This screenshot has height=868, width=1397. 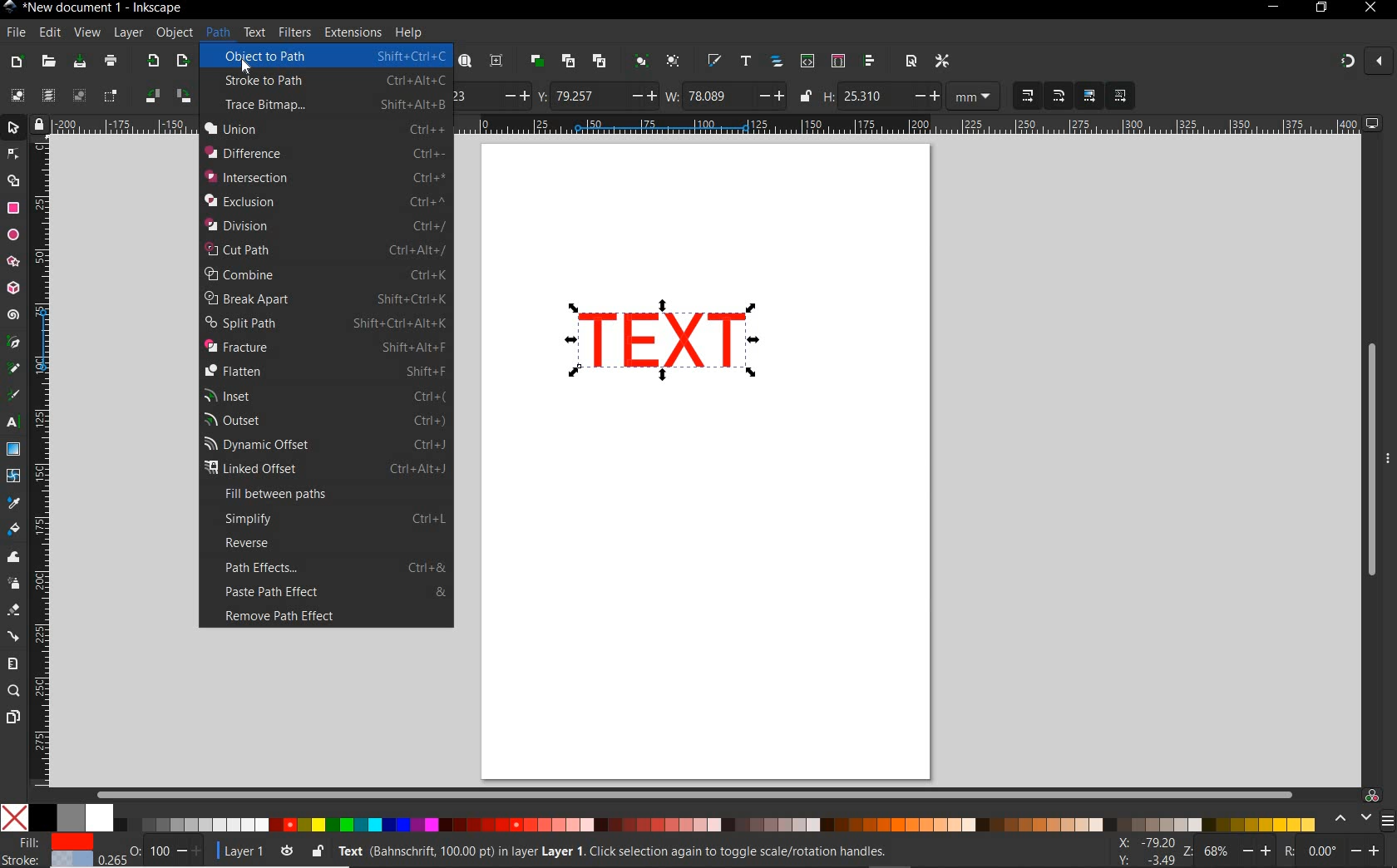 I want to click on VIEW, so click(x=86, y=33).